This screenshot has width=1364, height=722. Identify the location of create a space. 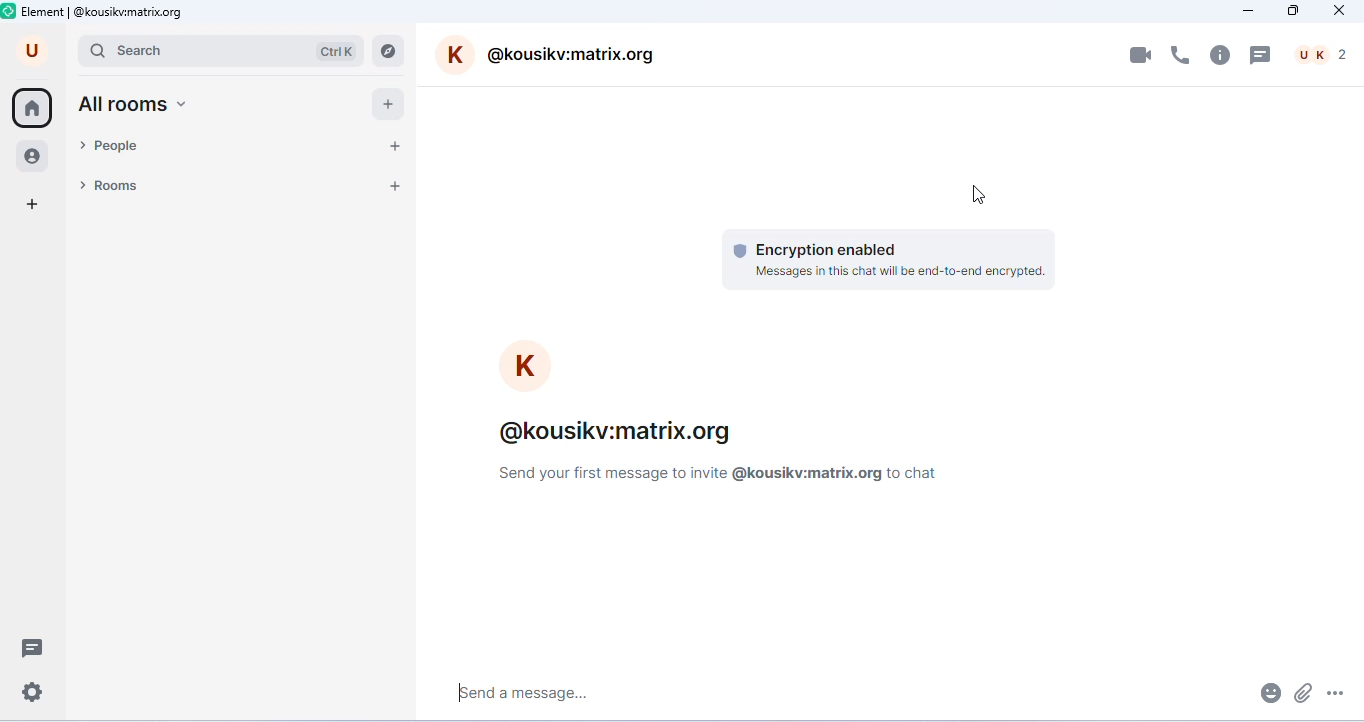
(33, 206).